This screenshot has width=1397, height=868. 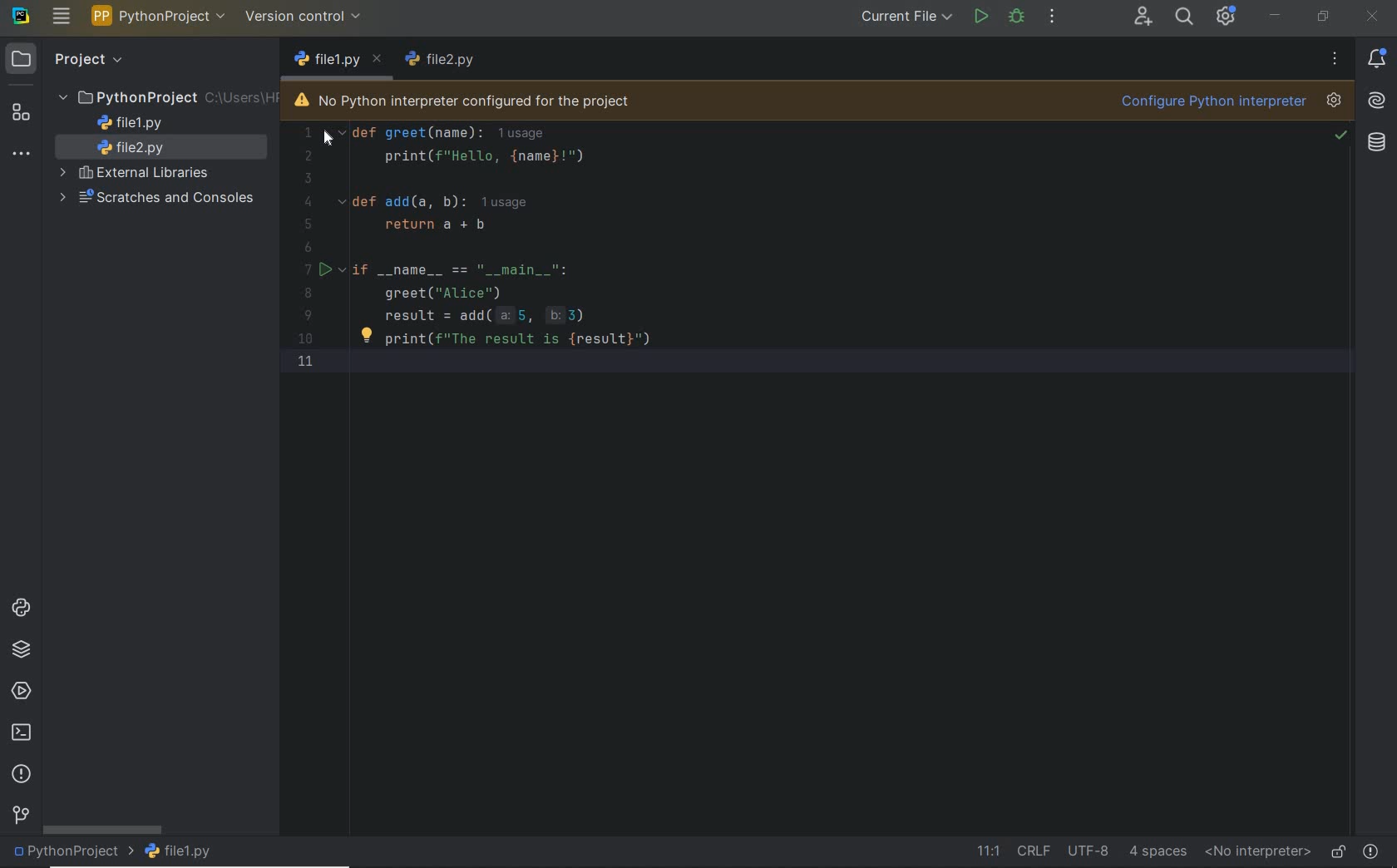 What do you see at coordinates (1335, 850) in the screenshot?
I see `make file ready only` at bounding box center [1335, 850].